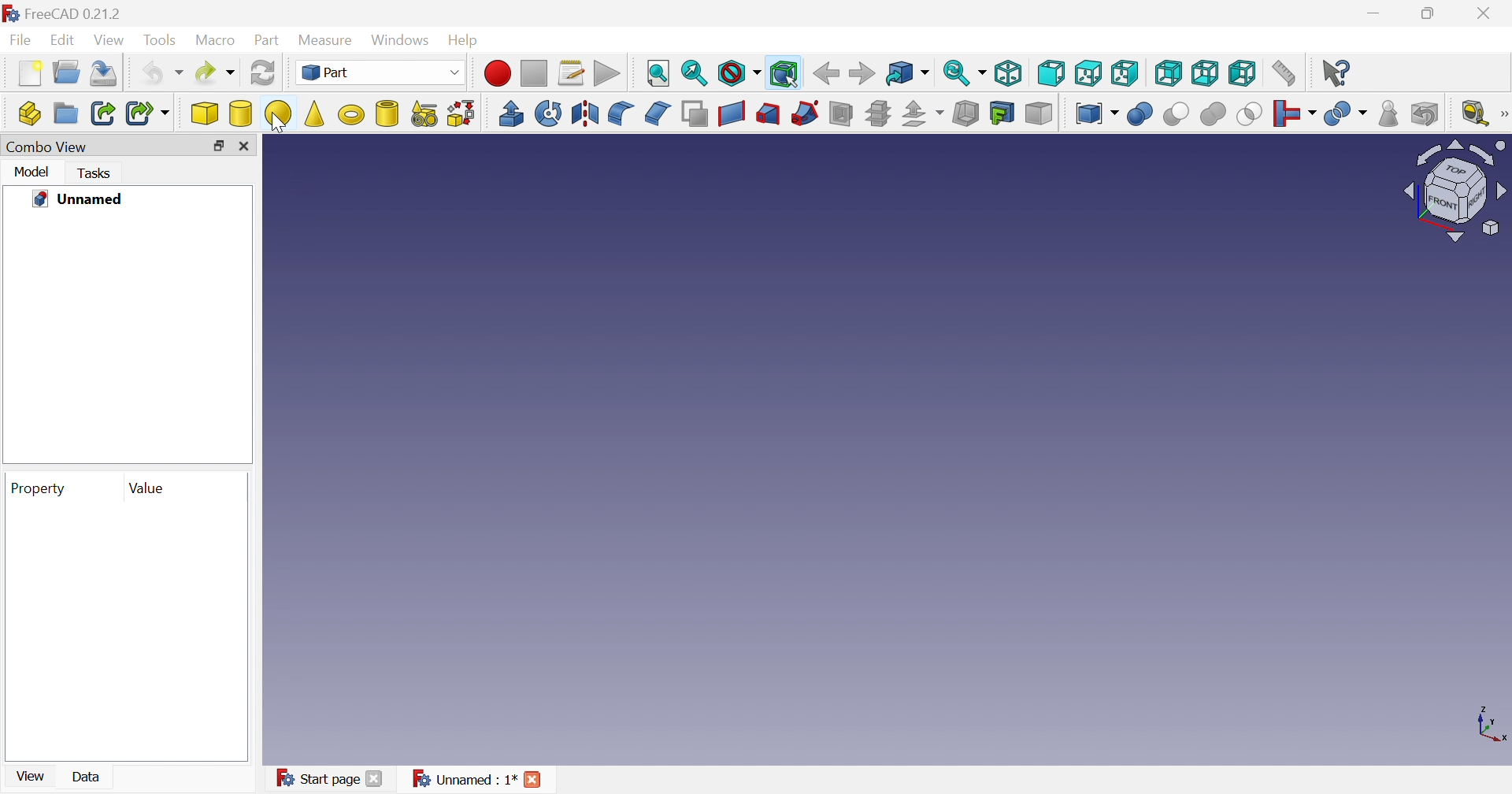 This screenshot has height=794, width=1512. What do you see at coordinates (840, 114) in the screenshot?
I see `Section` at bounding box center [840, 114].